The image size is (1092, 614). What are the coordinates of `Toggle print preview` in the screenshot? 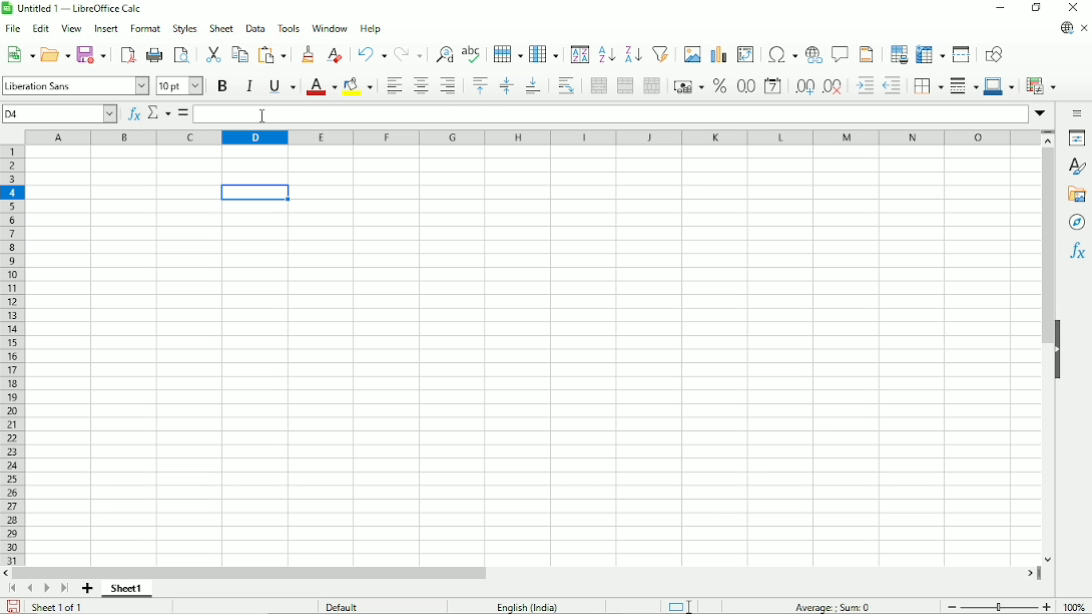 It's located at (181, 55).